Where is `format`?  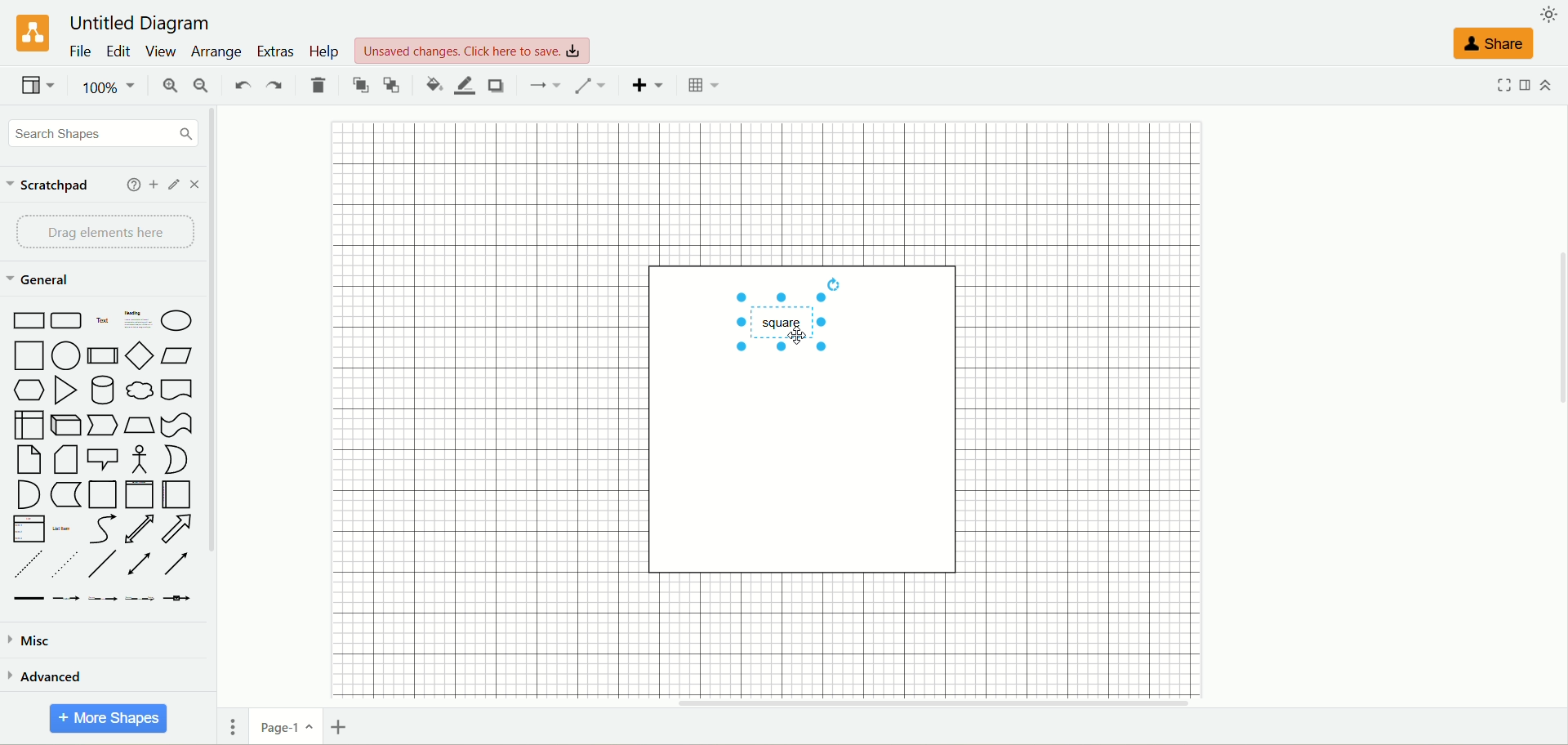 format is located at coordinates (1523, 84).